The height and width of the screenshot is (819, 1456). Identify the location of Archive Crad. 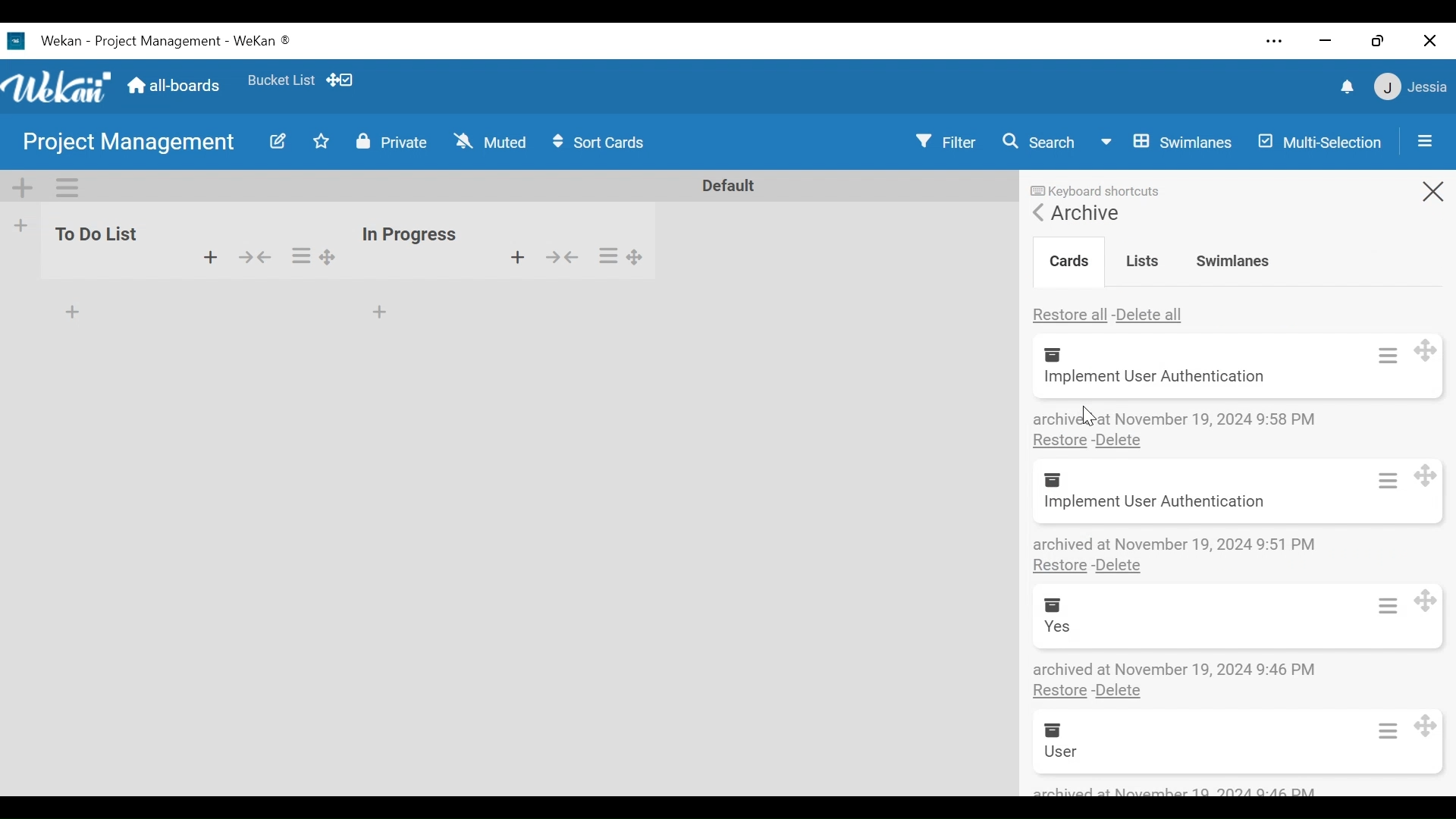
(1199, 738).